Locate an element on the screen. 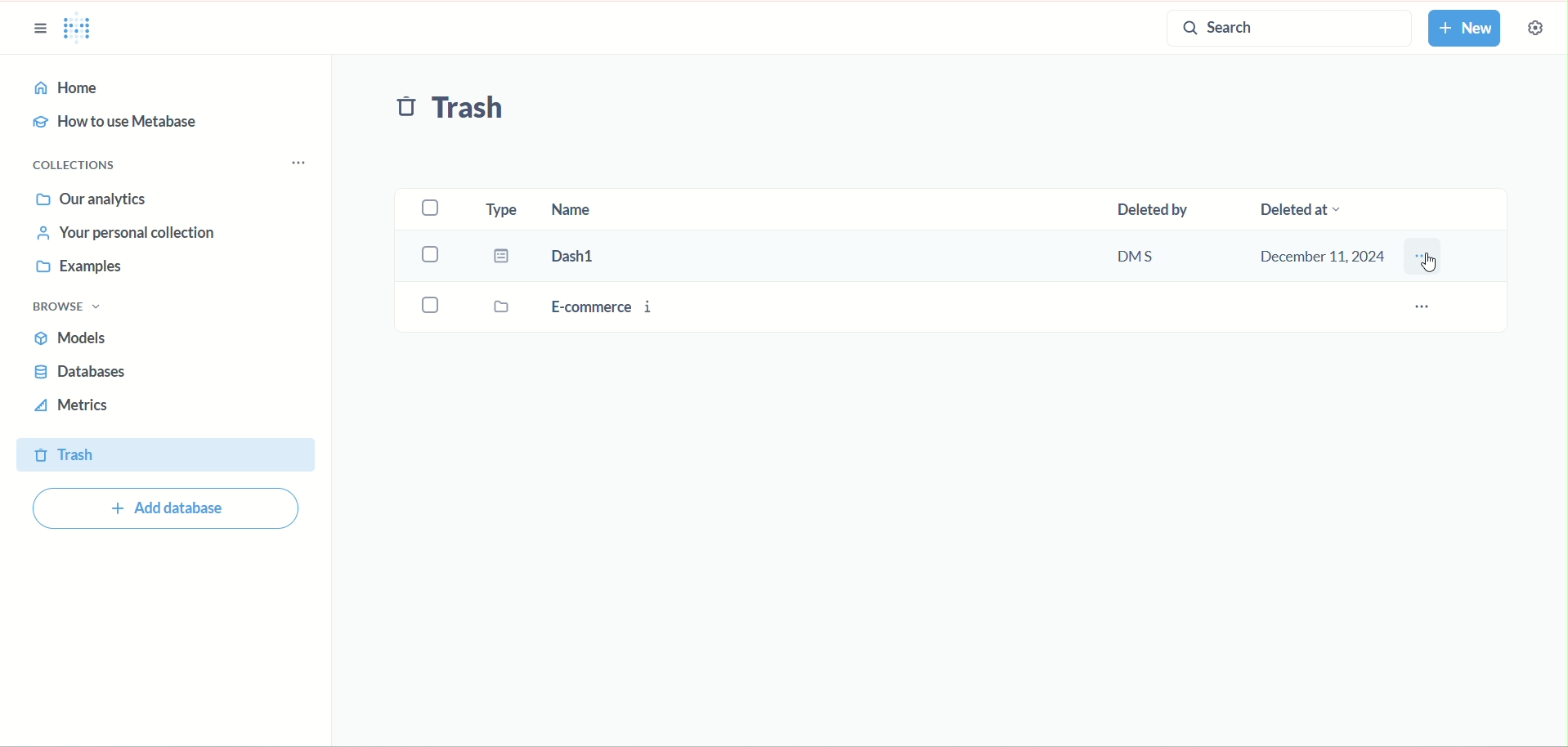 This screenshot has height=747, width=1568. December 11,2024 is located at coordinates (1322, 257).